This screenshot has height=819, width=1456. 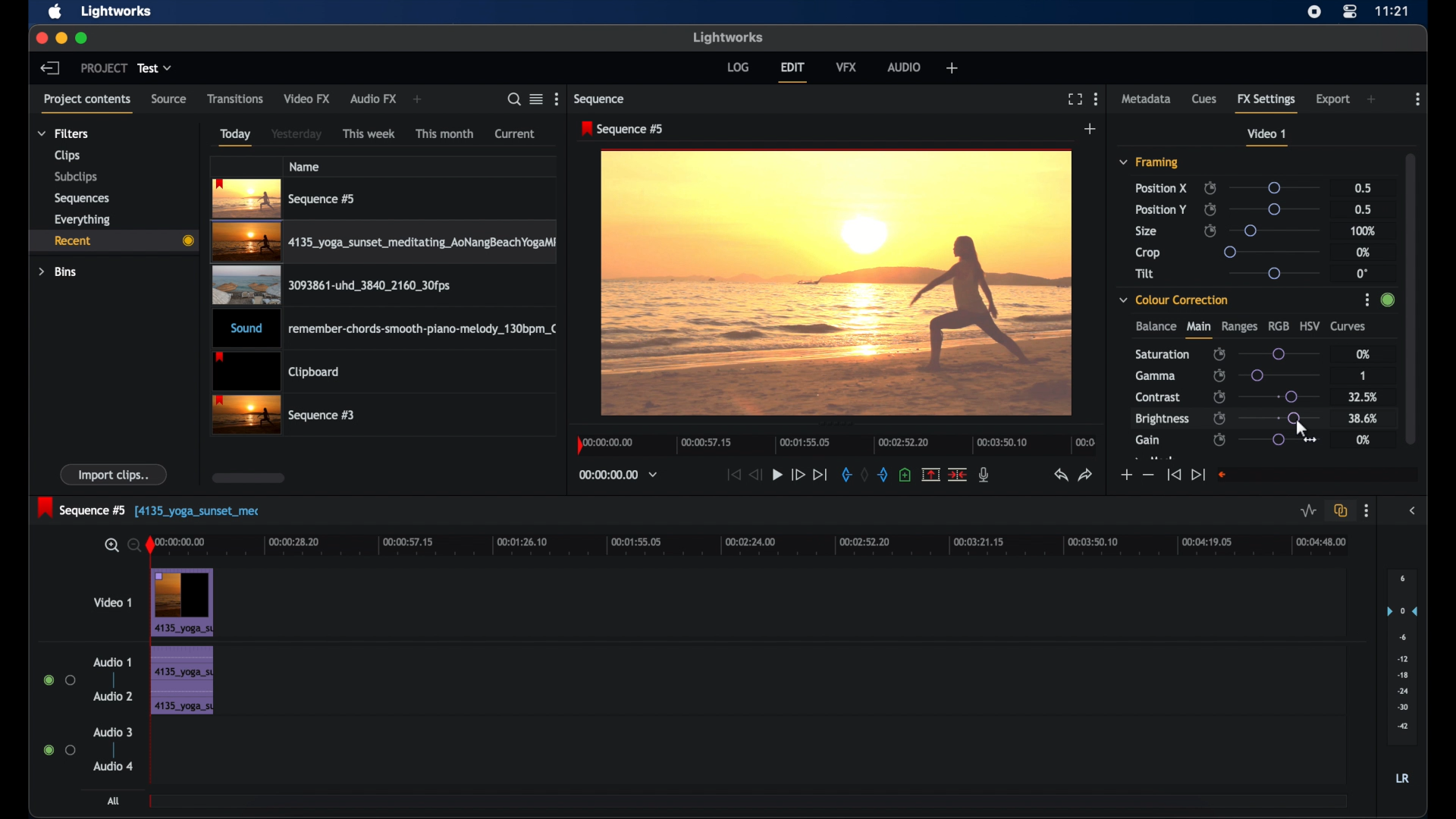 What do you see at coordinates (836, 284) in the screenshot?
I see `video preview` at bounding box center [836, 284].